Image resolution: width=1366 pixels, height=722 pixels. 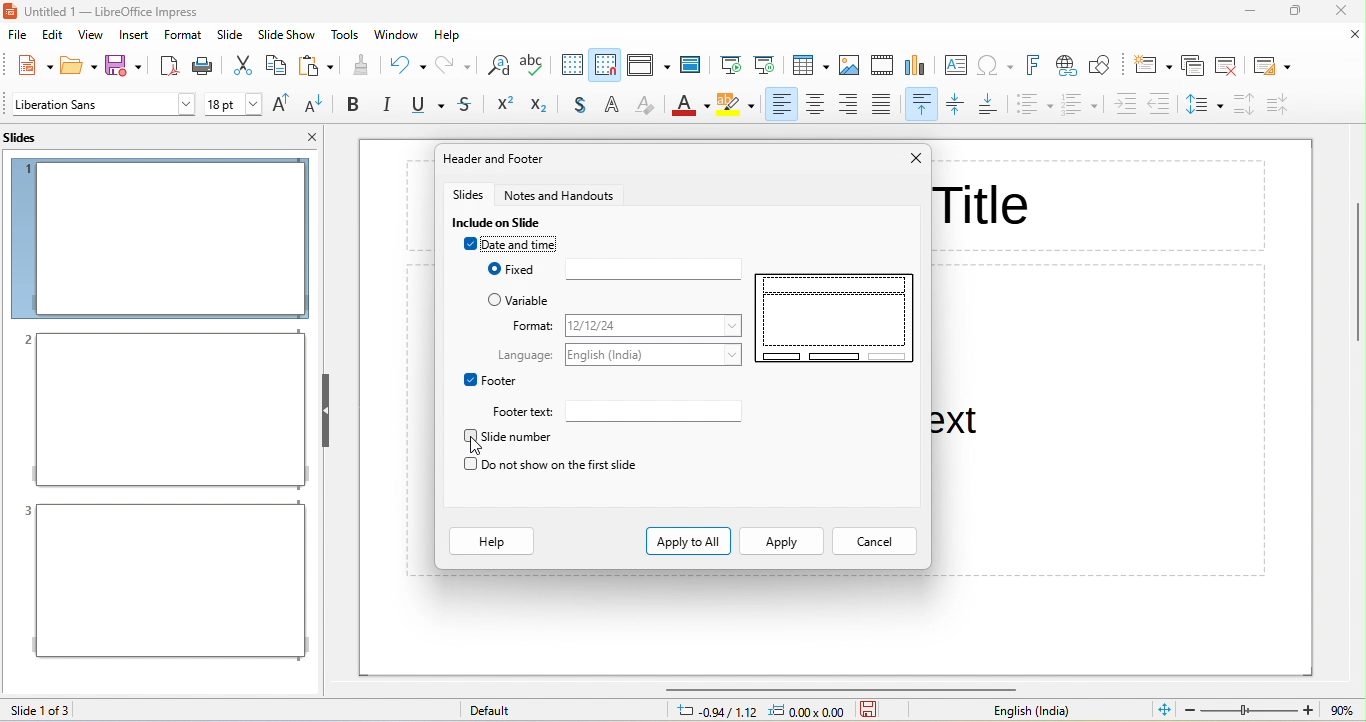 I want to click on minimizee, so click(x=1252, y=11).